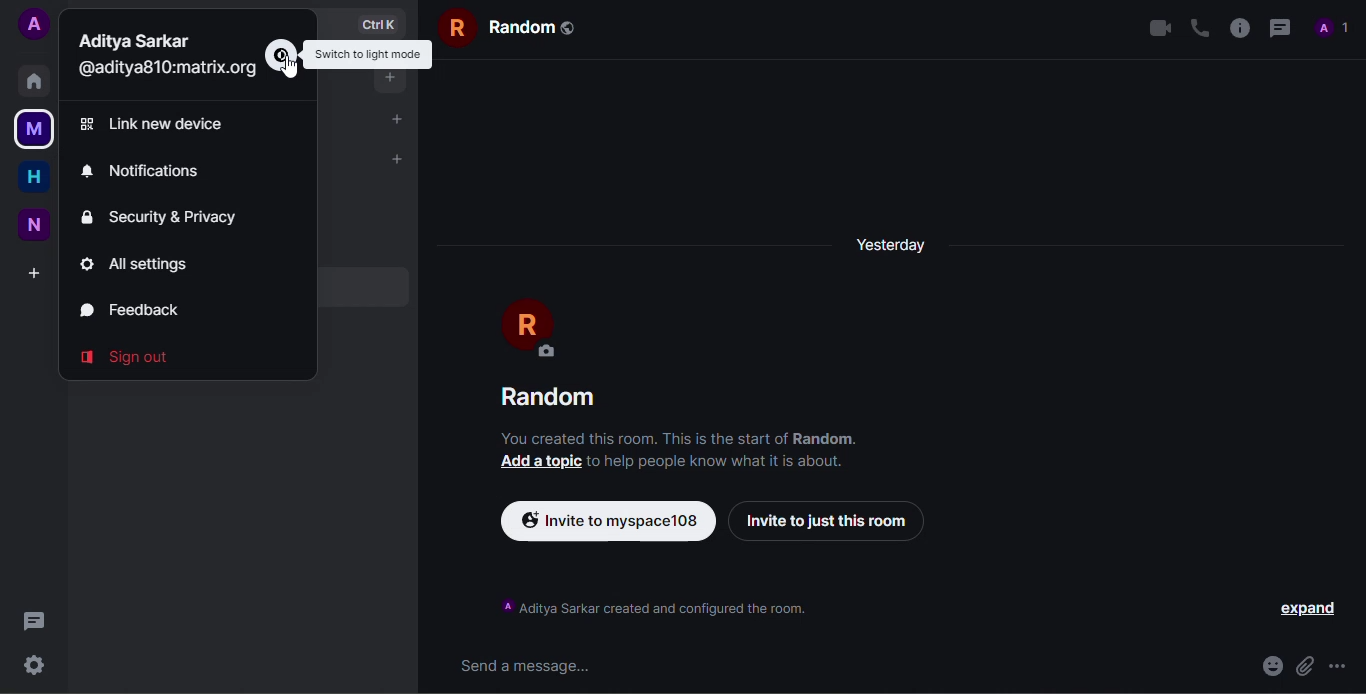  Describe the element at coordinates (396, 118) in the screenshot. I see `add` at that location.